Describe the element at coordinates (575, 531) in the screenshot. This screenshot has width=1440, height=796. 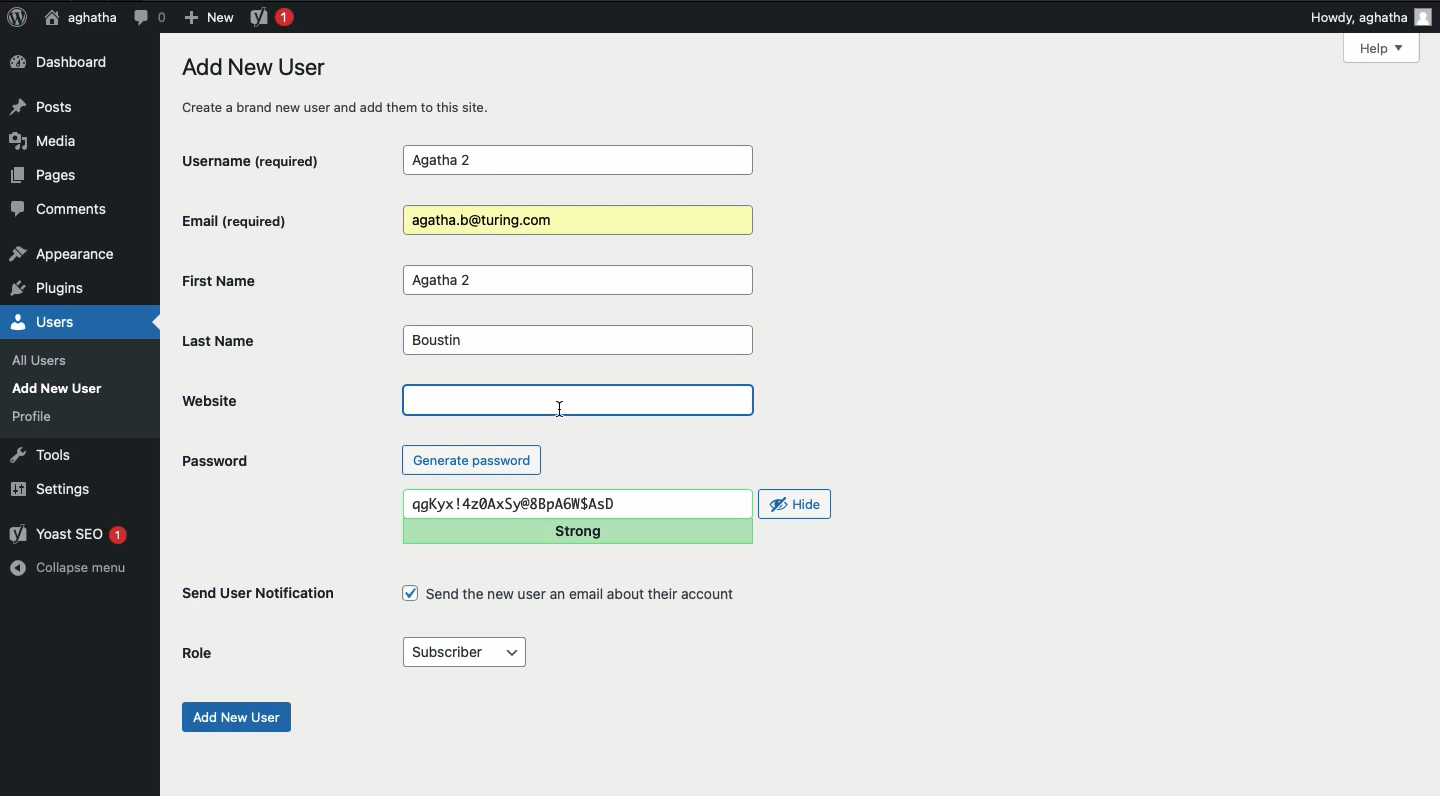
I see `Strong` at that location.